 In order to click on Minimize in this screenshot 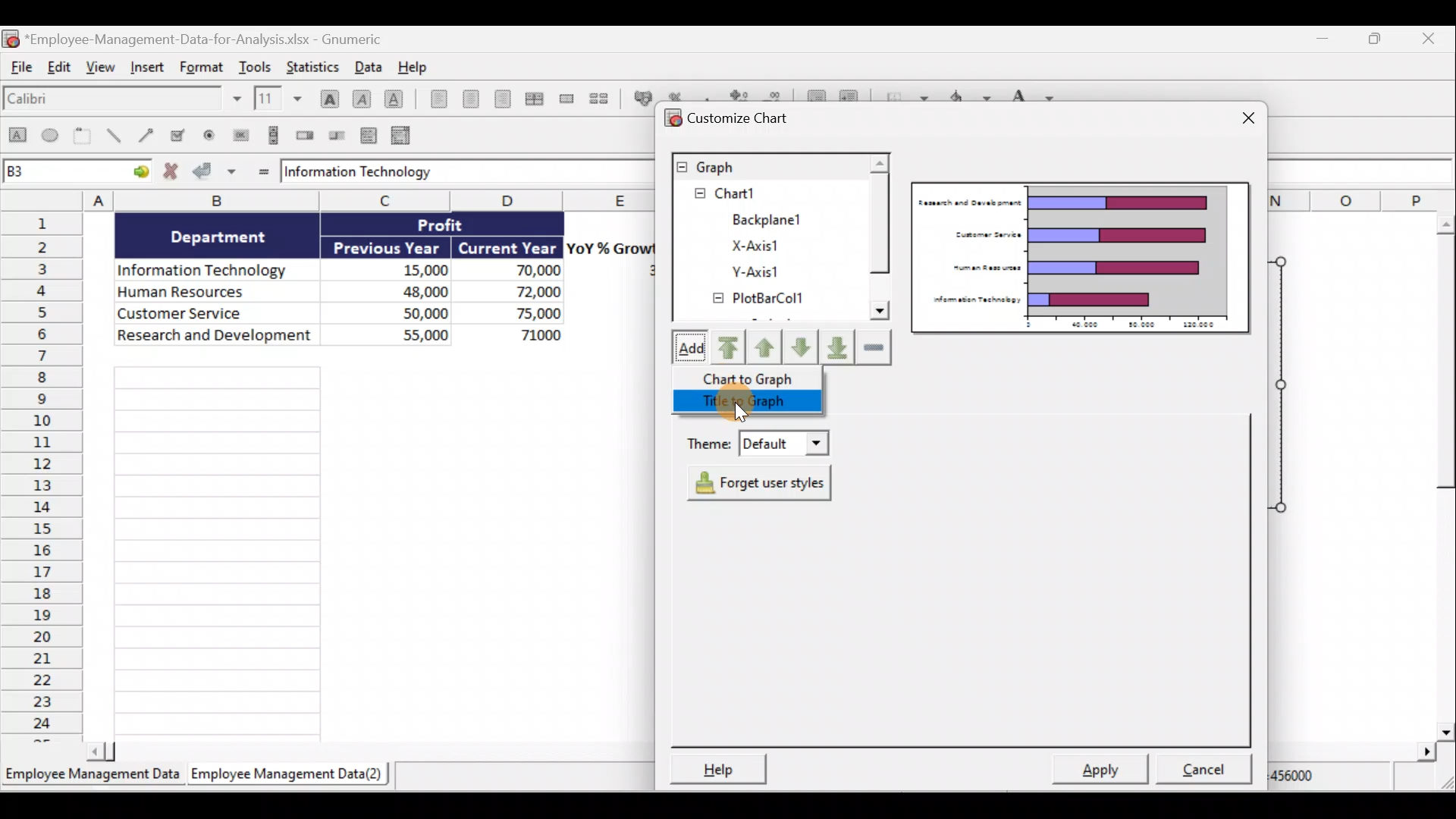, I will do `click(1321, 40)`.